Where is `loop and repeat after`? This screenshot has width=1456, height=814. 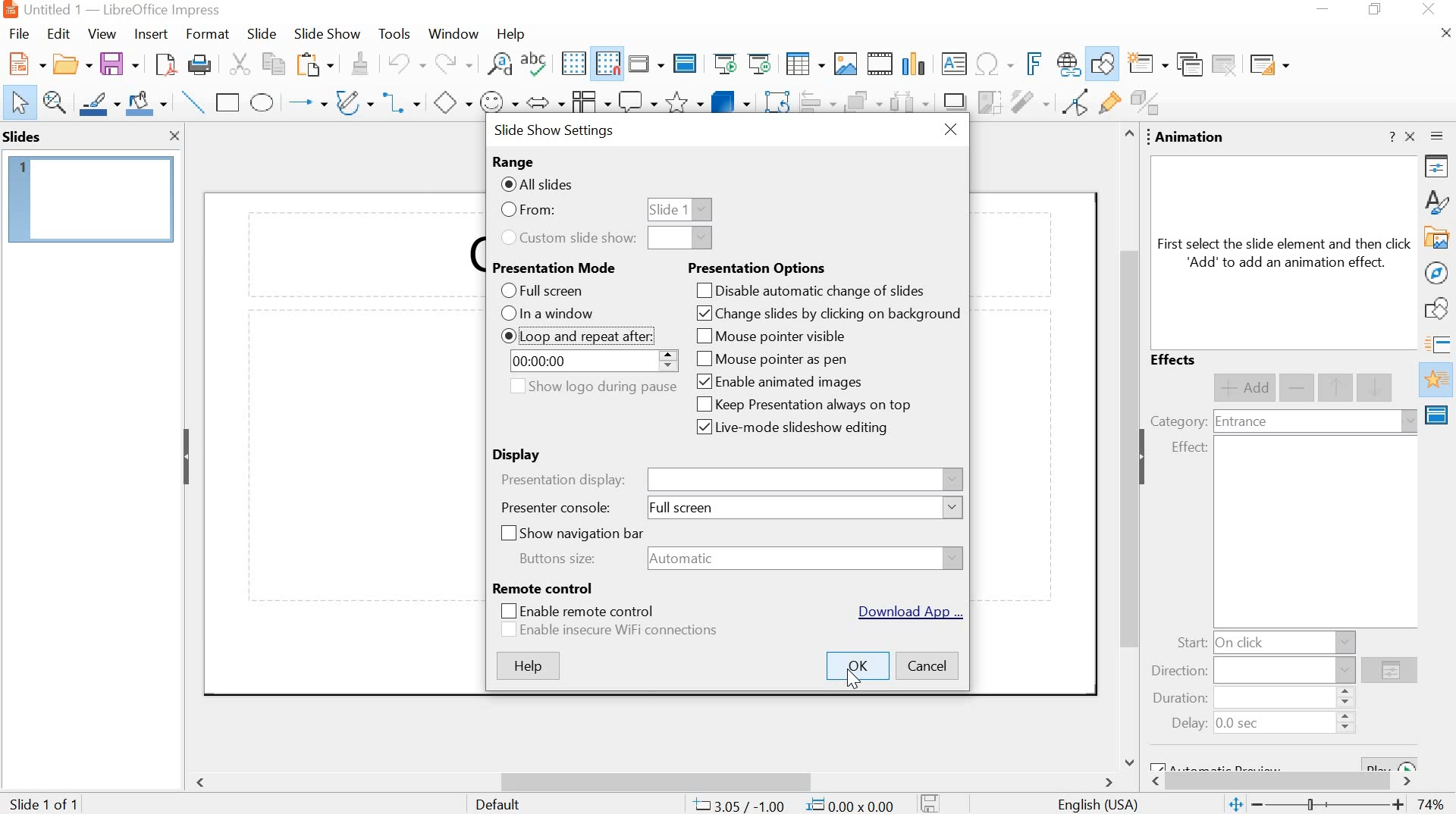 loop and repeat after is located at coordinates (576, 337).